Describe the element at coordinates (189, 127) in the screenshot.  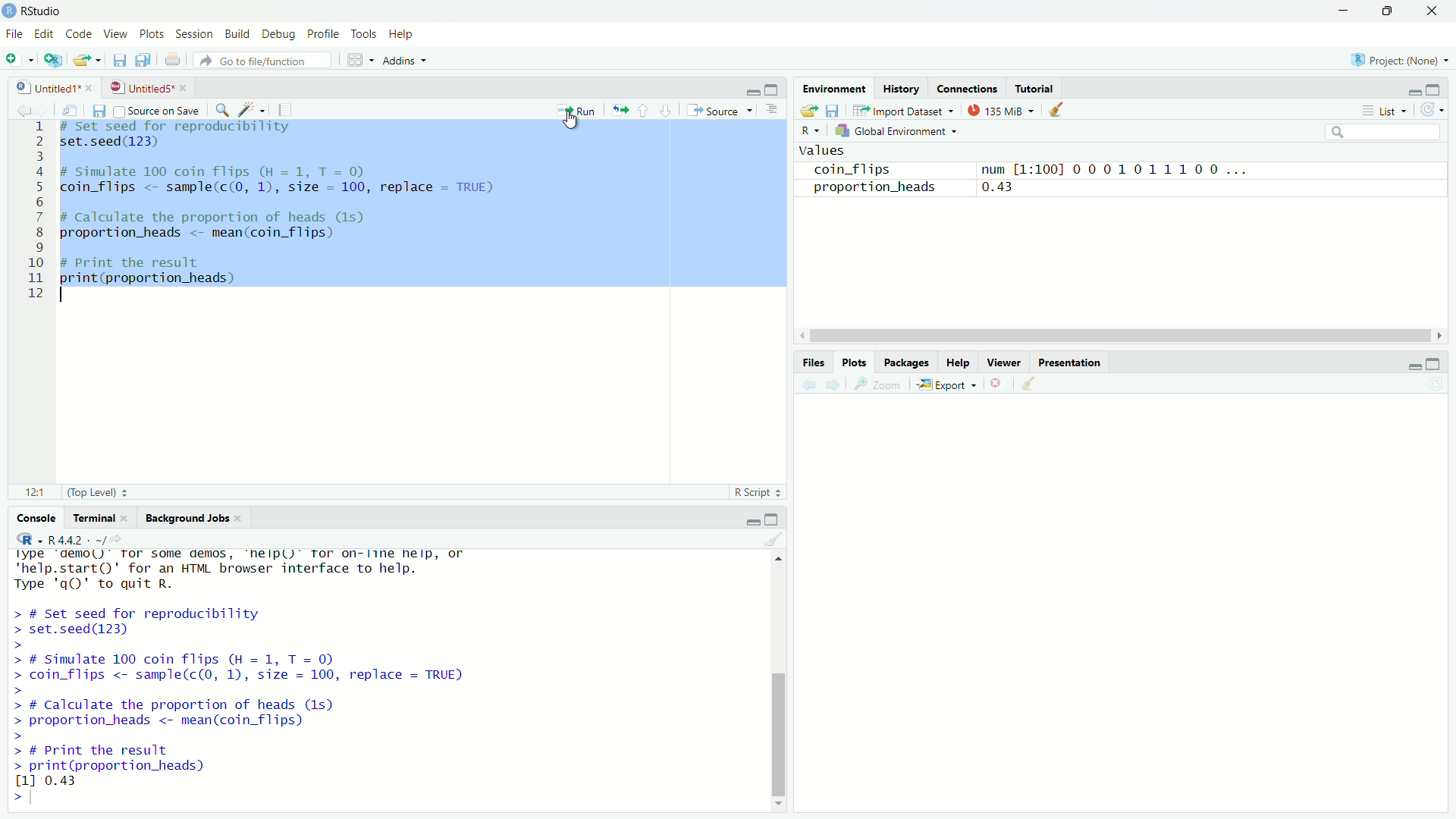
I see `# set seed for reproducibility` at that location.